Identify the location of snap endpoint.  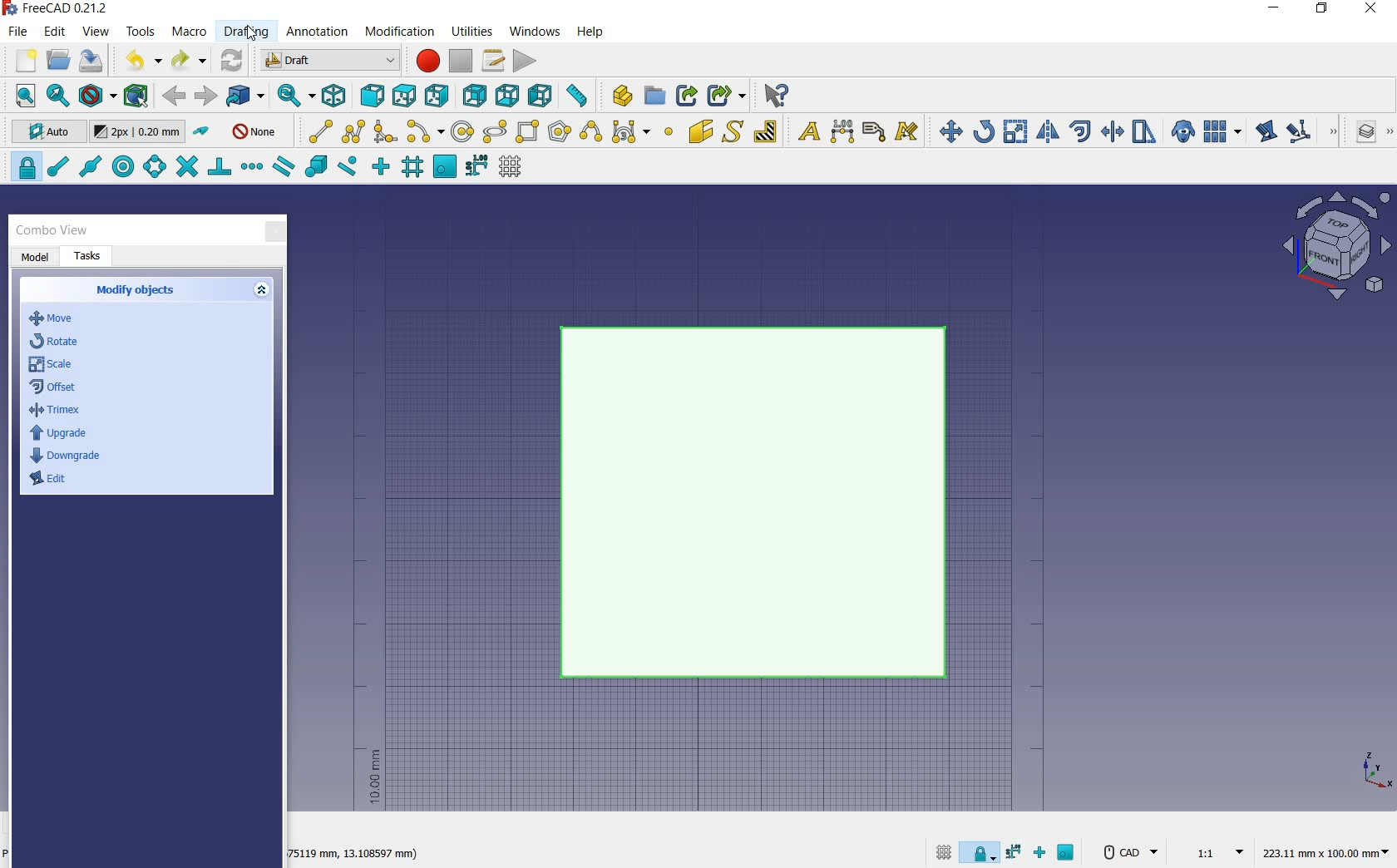
(57, 167).